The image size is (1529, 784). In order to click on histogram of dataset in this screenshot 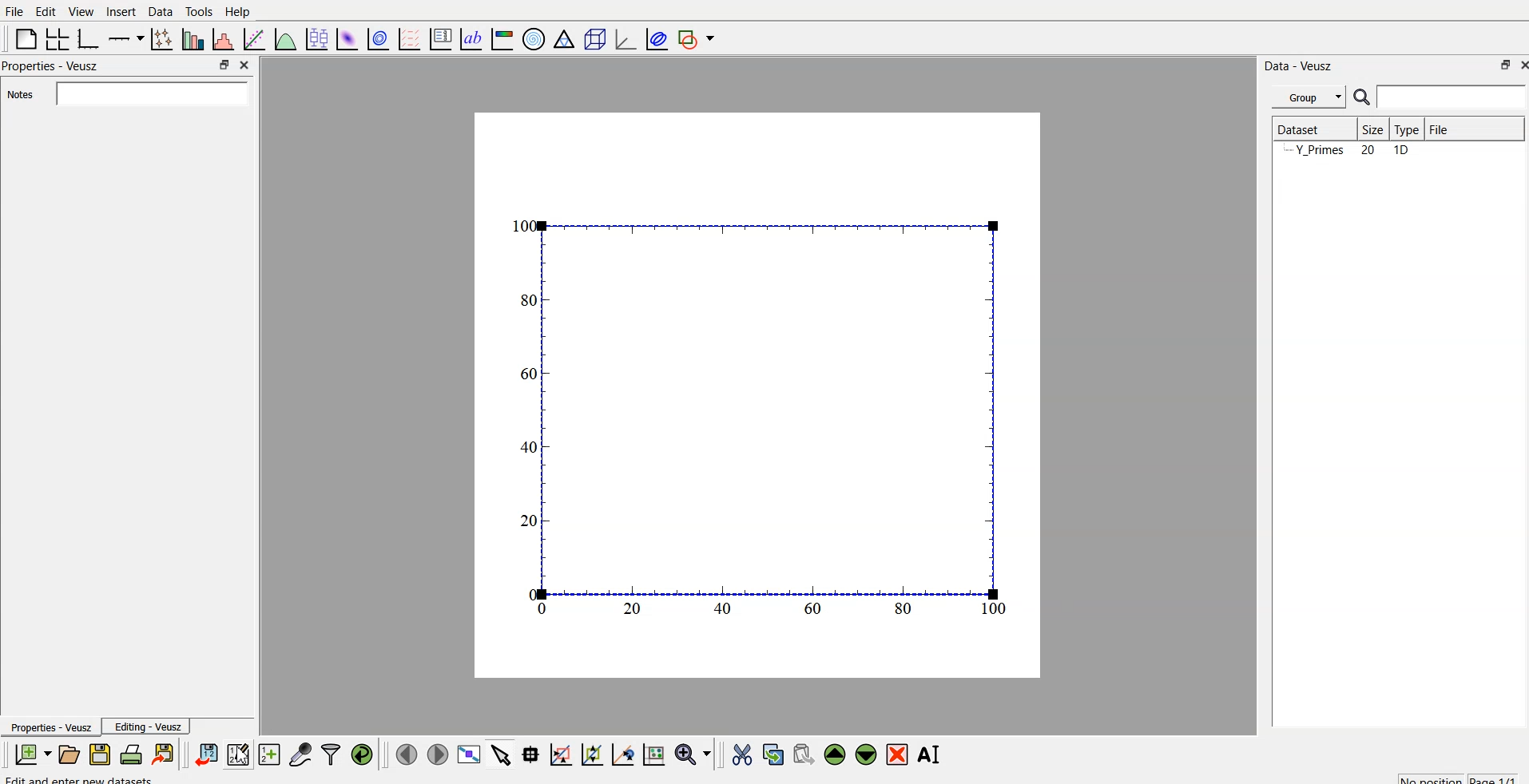, I will do `click(222, 40)`.